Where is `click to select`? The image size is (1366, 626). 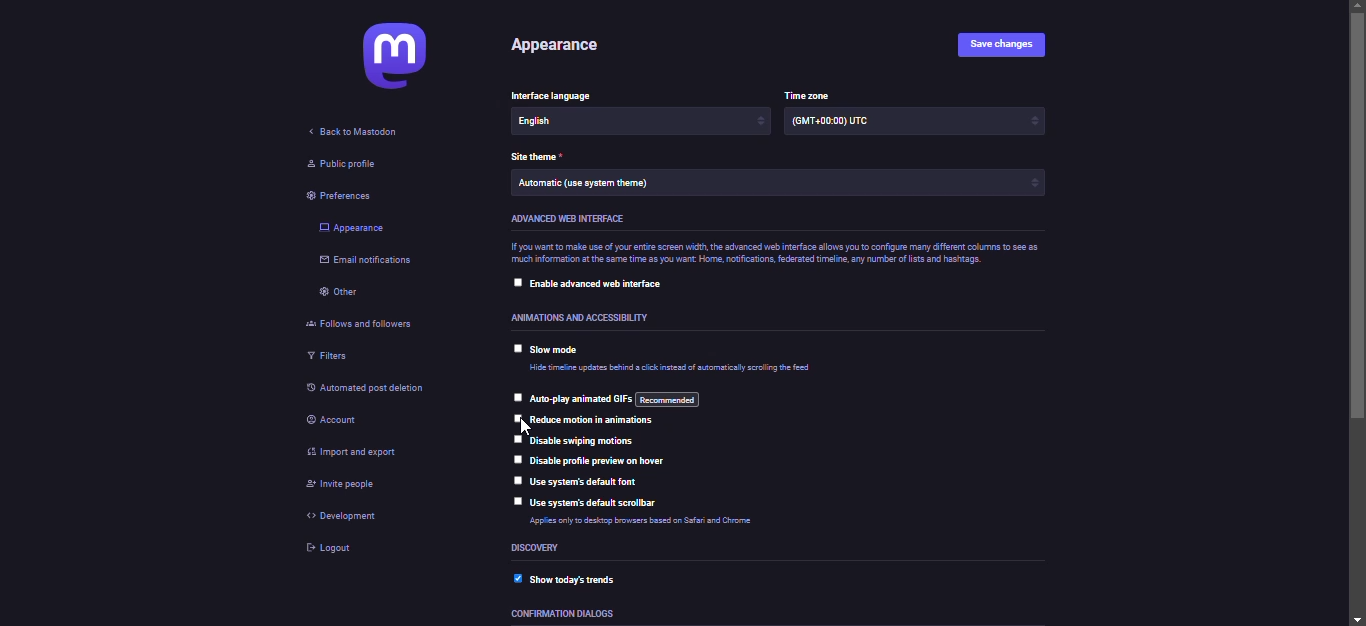
click to select is located at coordinates (512, 398).